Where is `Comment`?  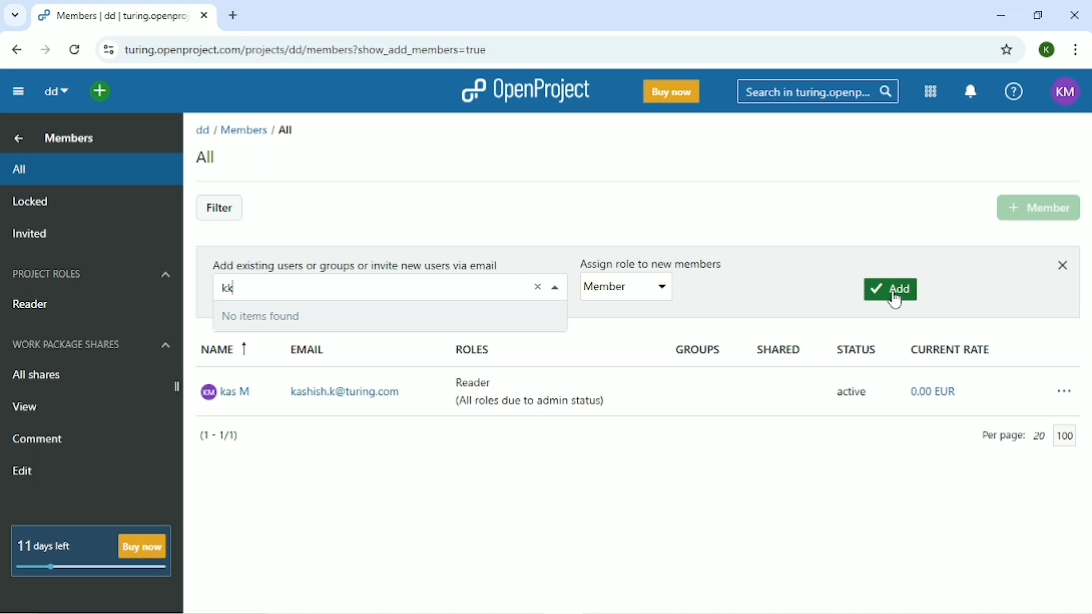 Comment is located at coordinates (38, 439).